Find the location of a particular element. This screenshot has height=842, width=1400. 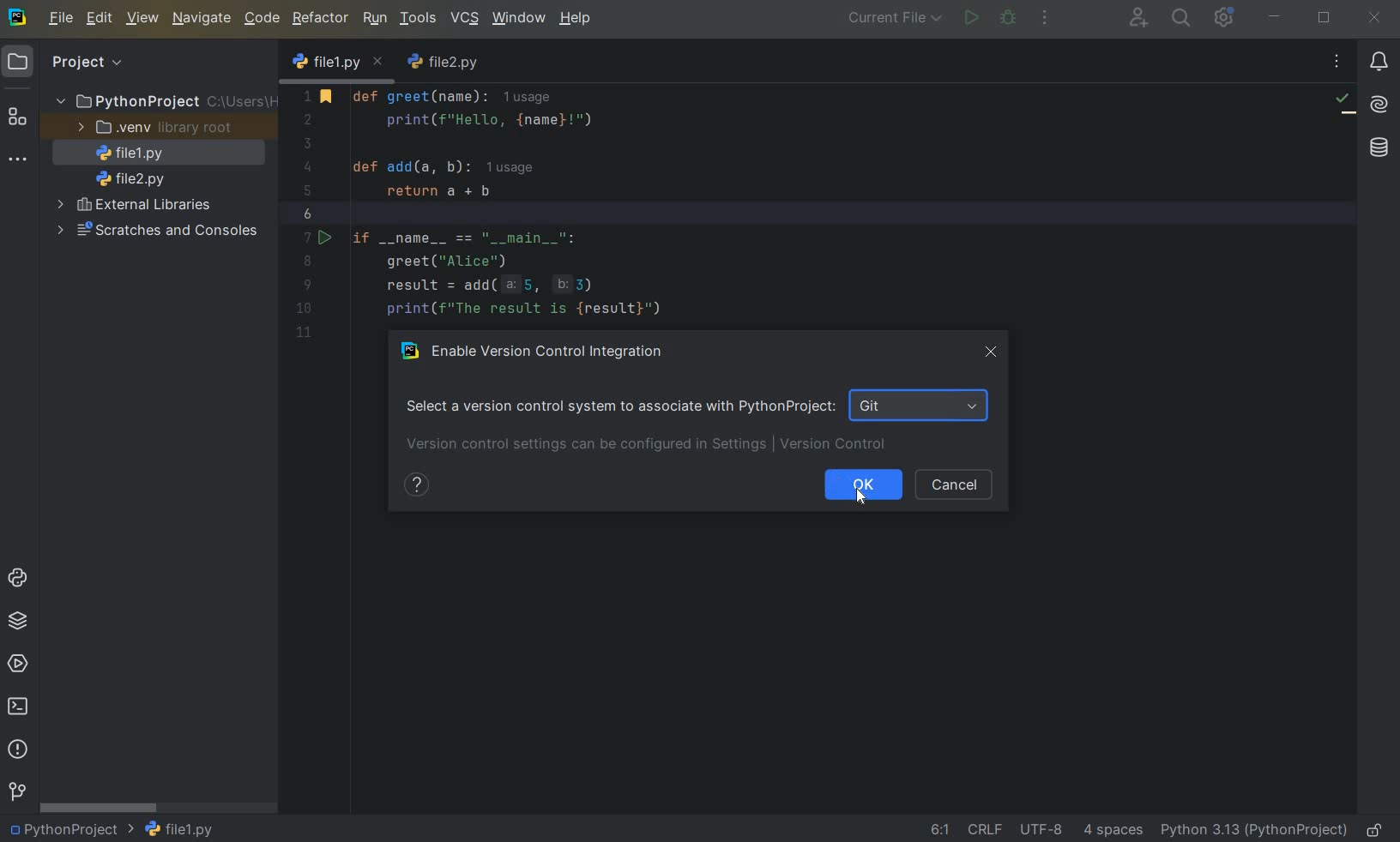

file name 1 is located at coordinates (179, 828).